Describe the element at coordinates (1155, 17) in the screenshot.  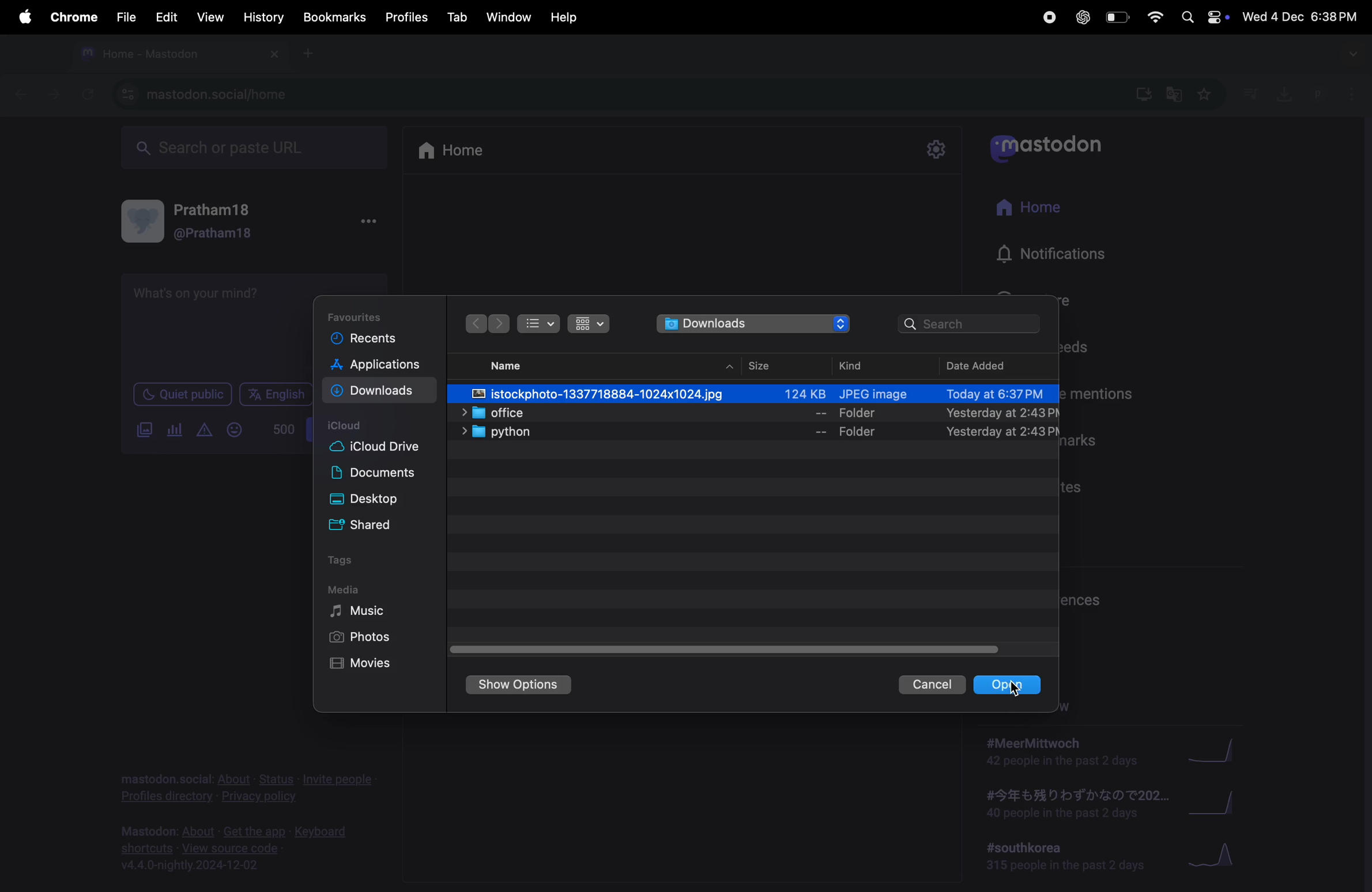
I see `wifi` at that location.